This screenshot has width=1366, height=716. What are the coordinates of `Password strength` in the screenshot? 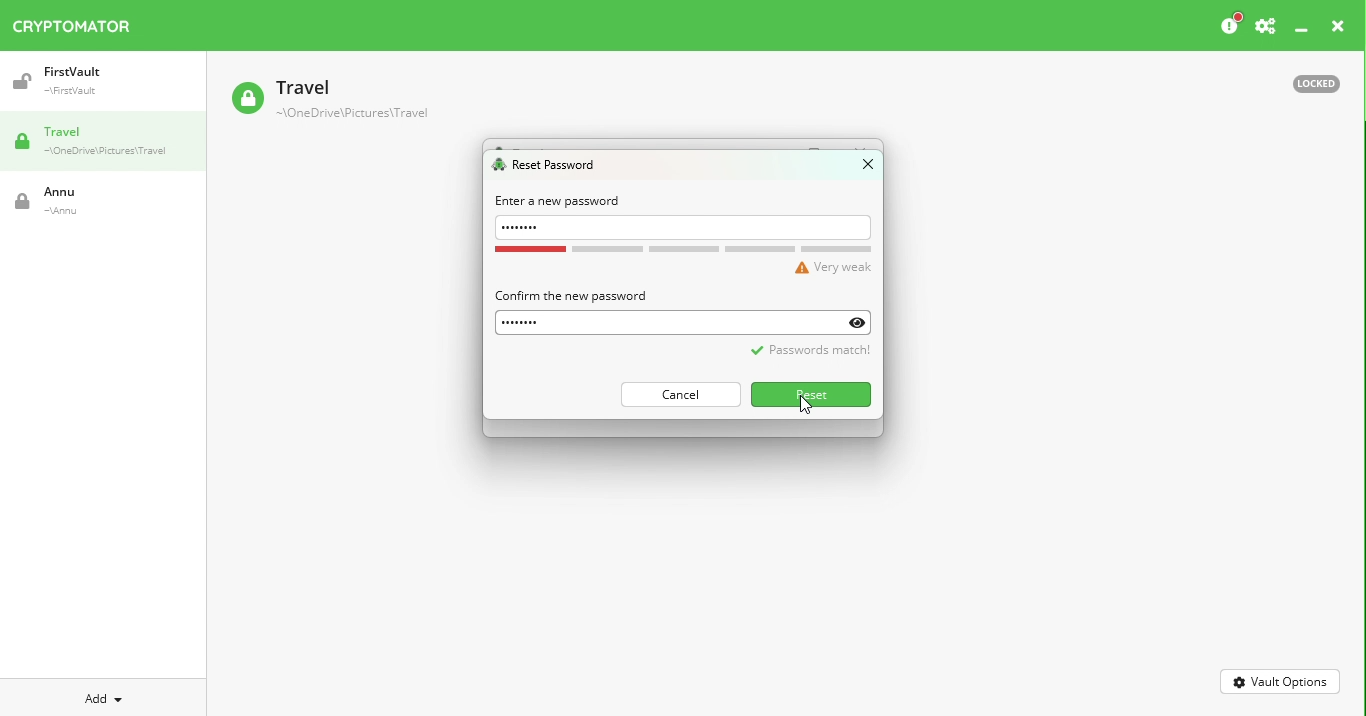 It's located at (685, 261).